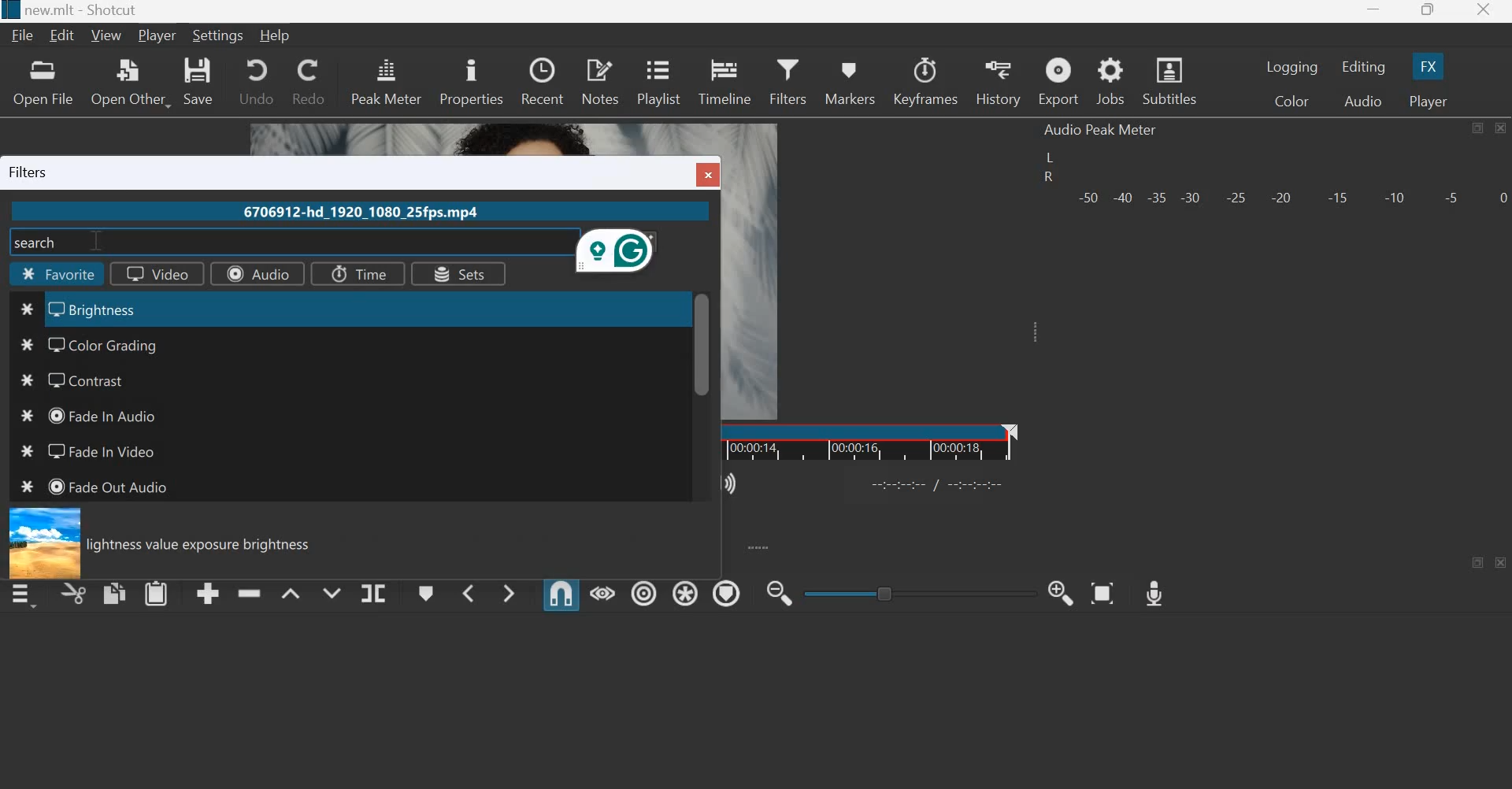  I want to click on Help, so click(280, 34).